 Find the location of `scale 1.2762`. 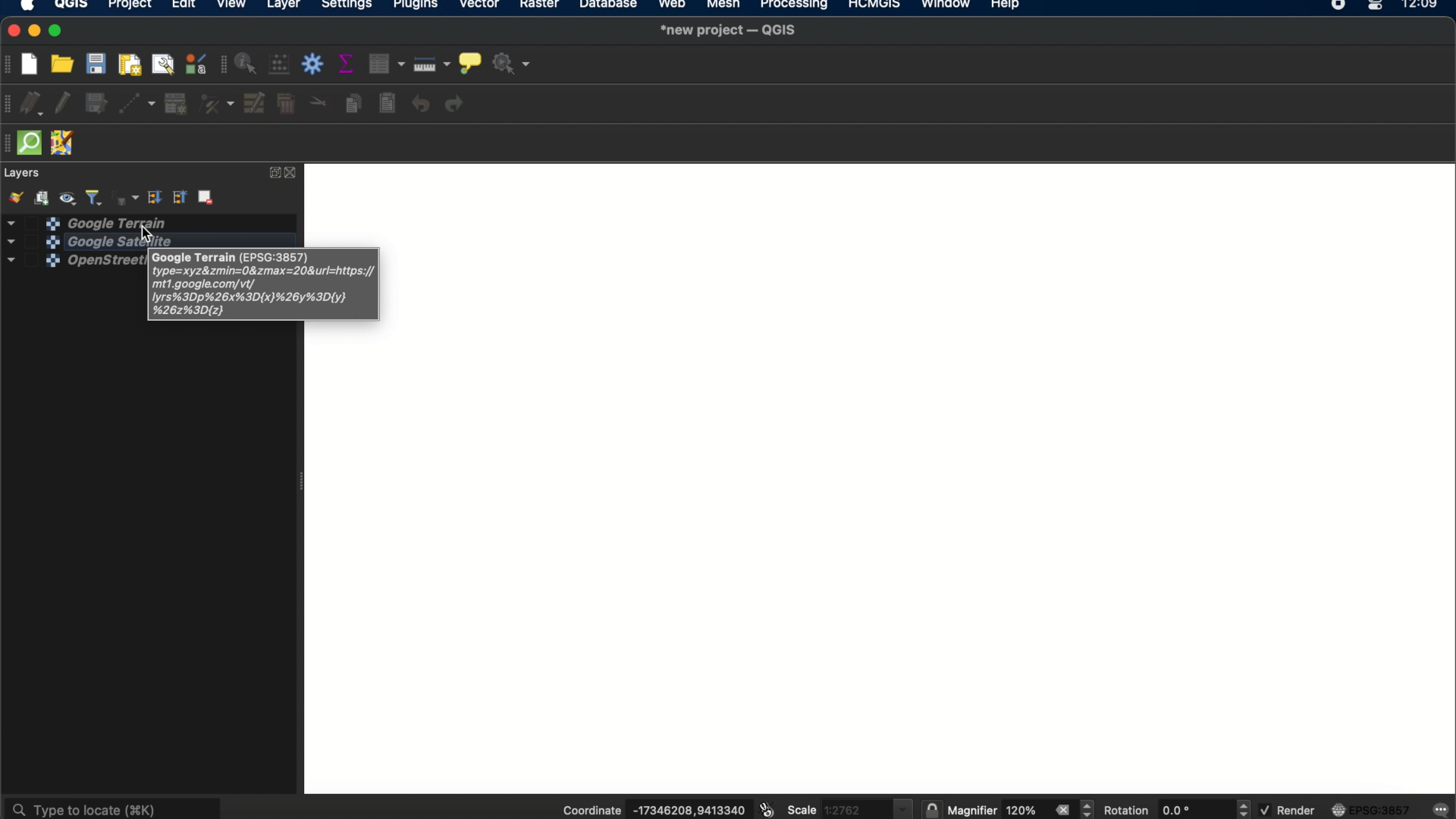

scale 1.2762 is located at coordinates (849, 807).